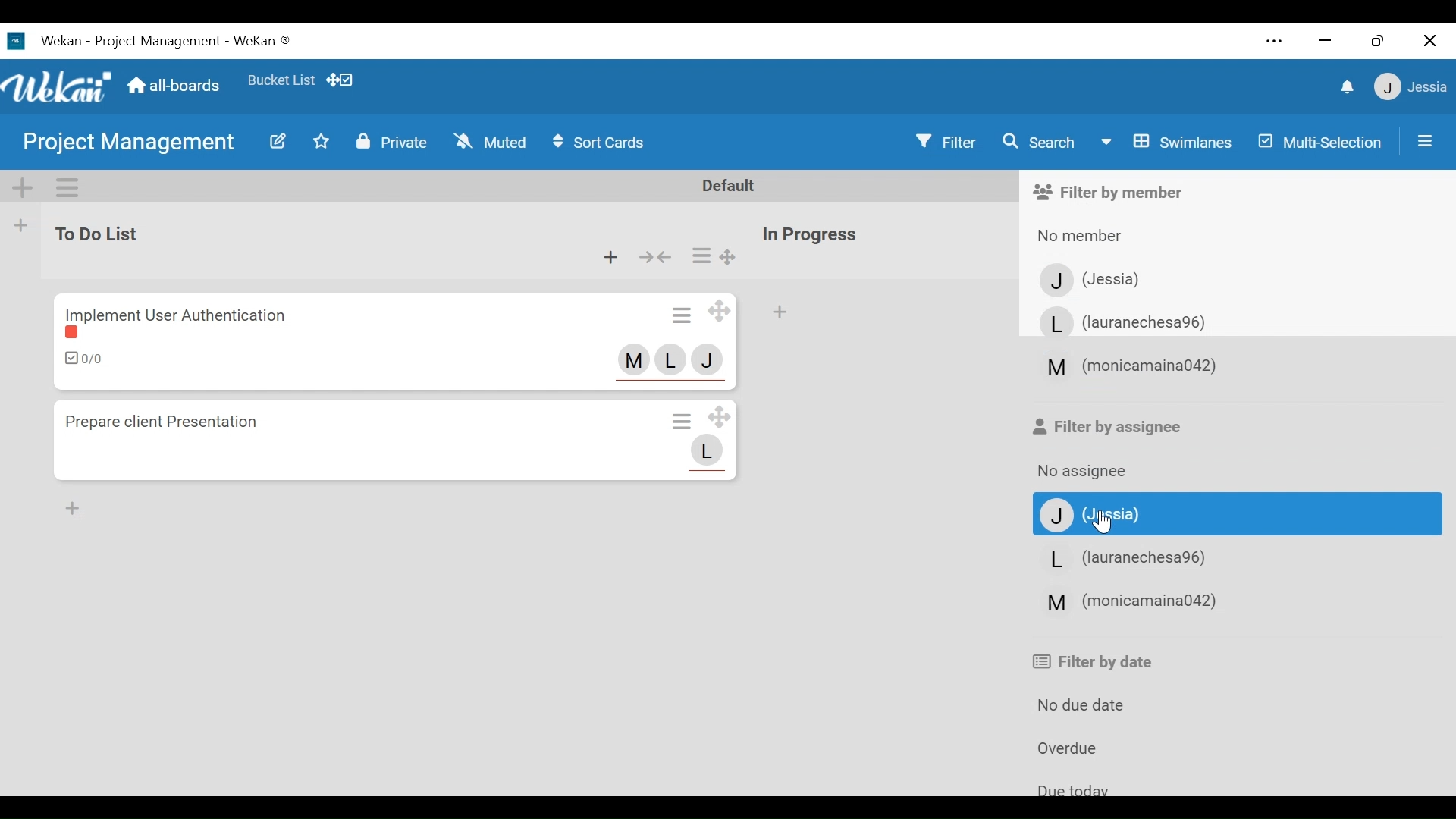 This screenshot has height=819, width=1456. I want to click on Prepare client presentation, so click(174, 425).